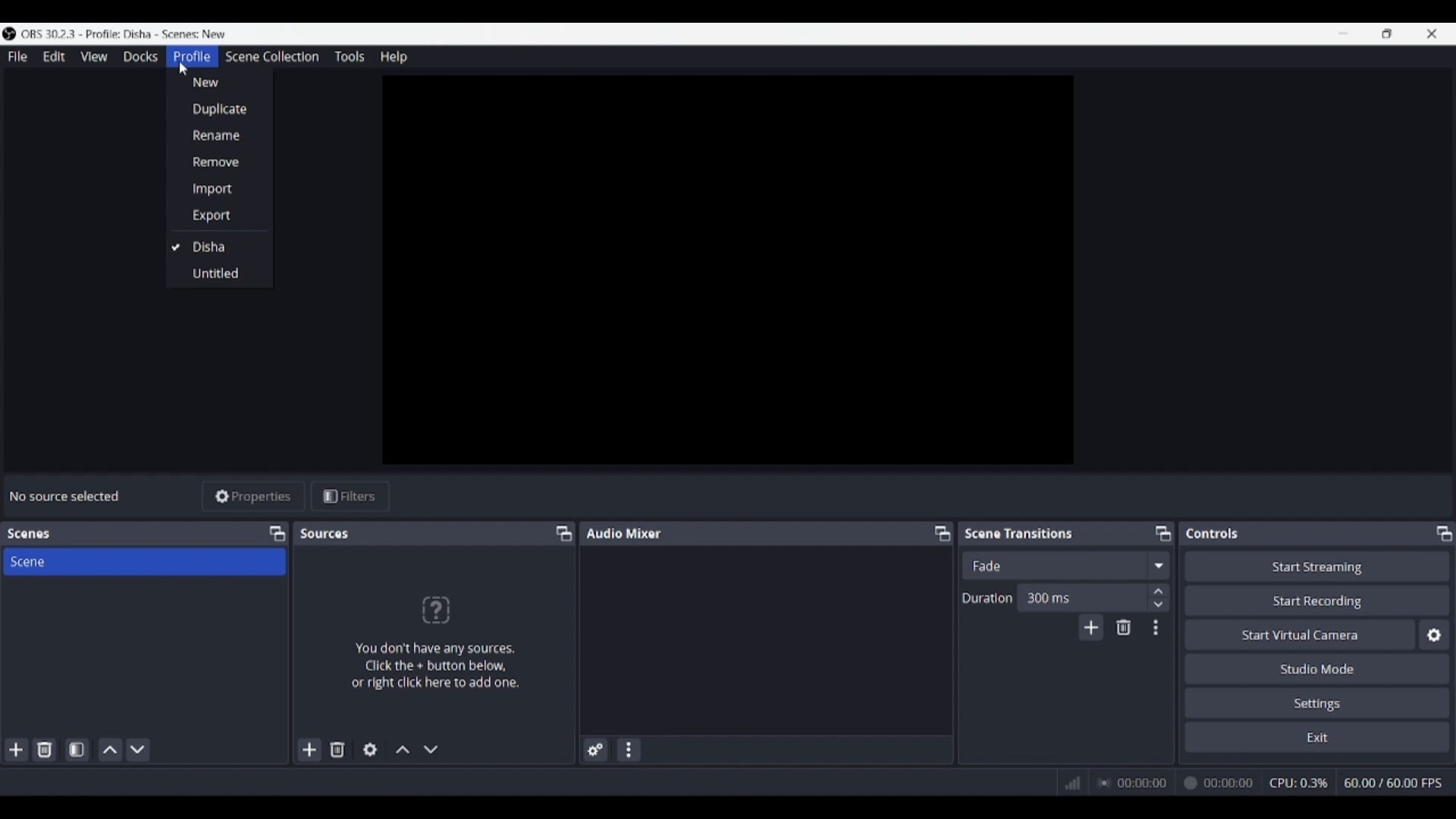  What do you see at coordinates (1090, 627) in the screenshot?
I see `Add transition` at bounding box center [1090, 627].